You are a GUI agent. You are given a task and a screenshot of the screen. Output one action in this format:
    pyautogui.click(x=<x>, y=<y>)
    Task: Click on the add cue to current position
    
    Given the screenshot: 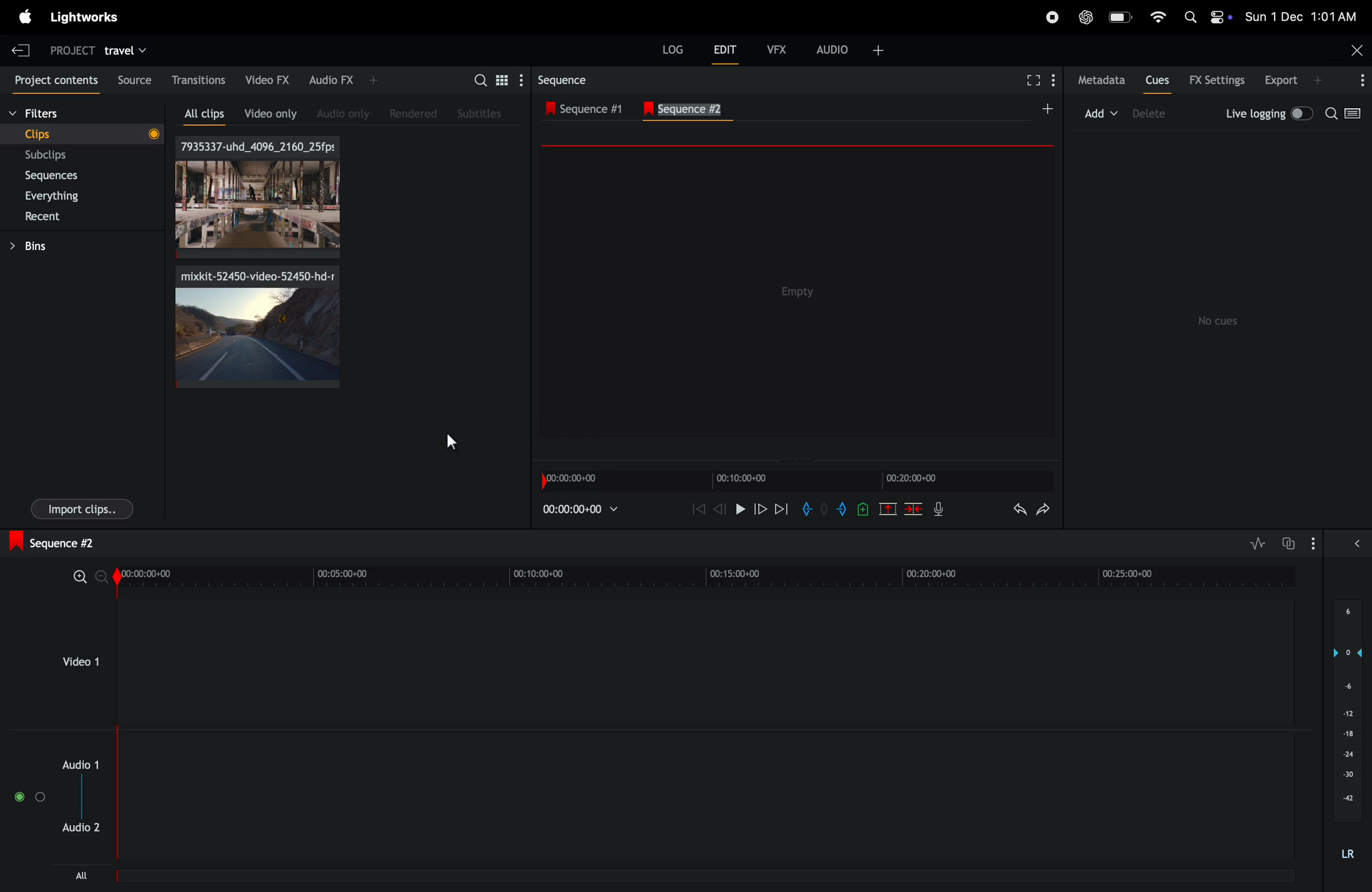 What is the action you would take?
    pyautogui.click(x=863, y=512)
    